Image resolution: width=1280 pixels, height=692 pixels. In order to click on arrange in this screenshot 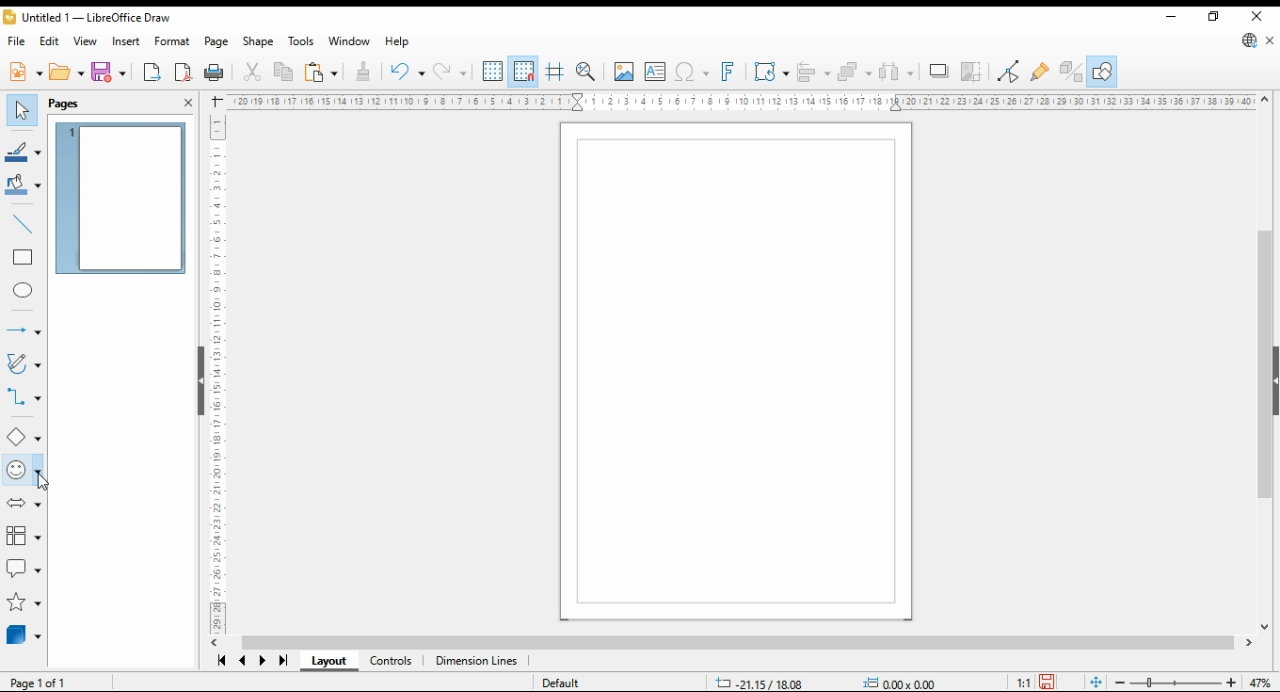, I will do `click(855, 72)`.